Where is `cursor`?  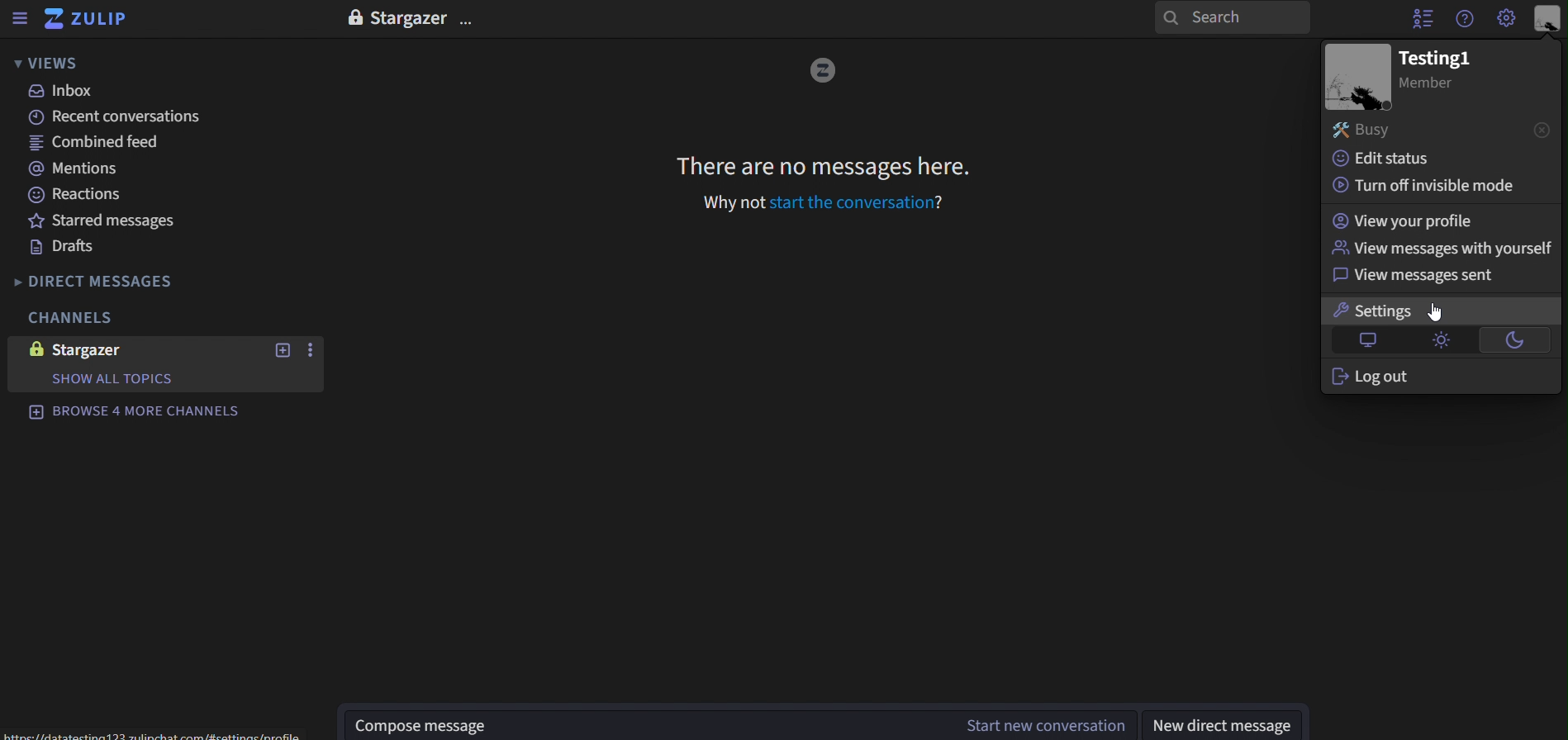 cursor is located at coordinates (1436, 310).